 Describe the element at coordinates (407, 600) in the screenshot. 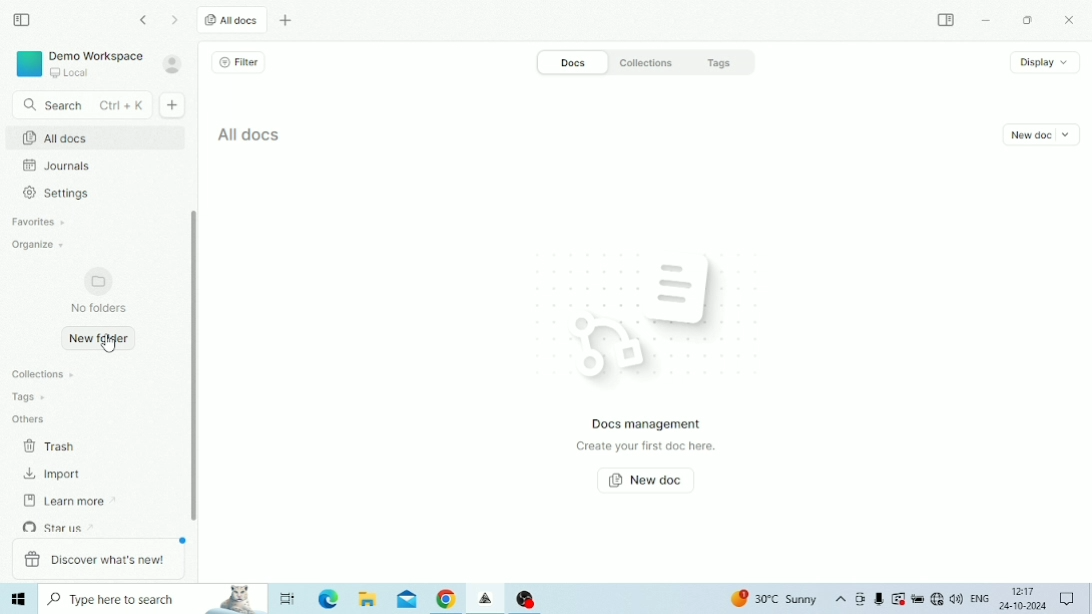

I see `Mail` at that location.